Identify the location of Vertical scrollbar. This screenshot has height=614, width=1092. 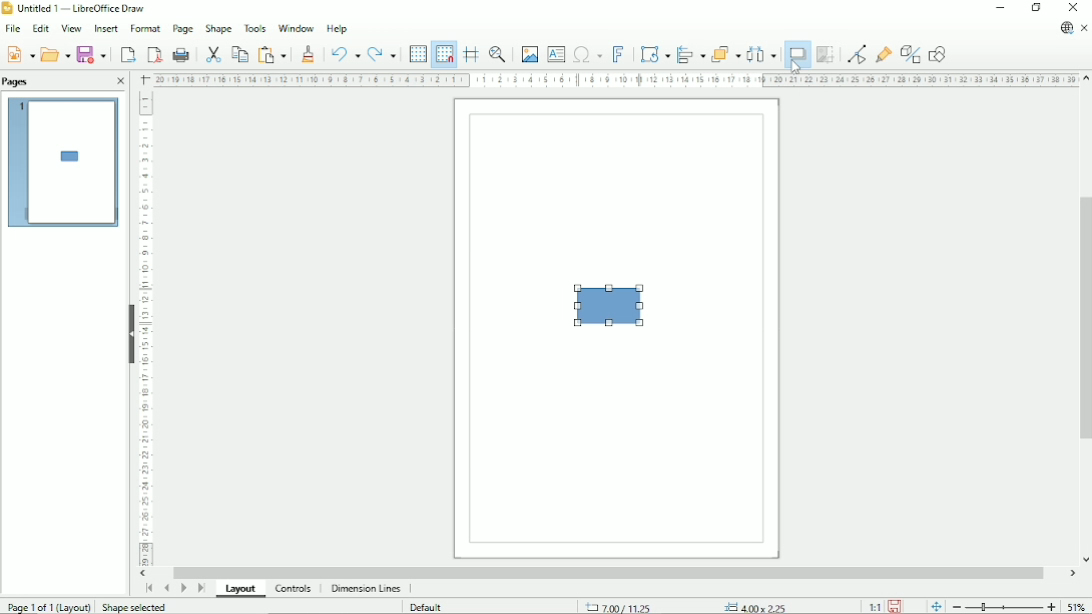
(1084, 320).